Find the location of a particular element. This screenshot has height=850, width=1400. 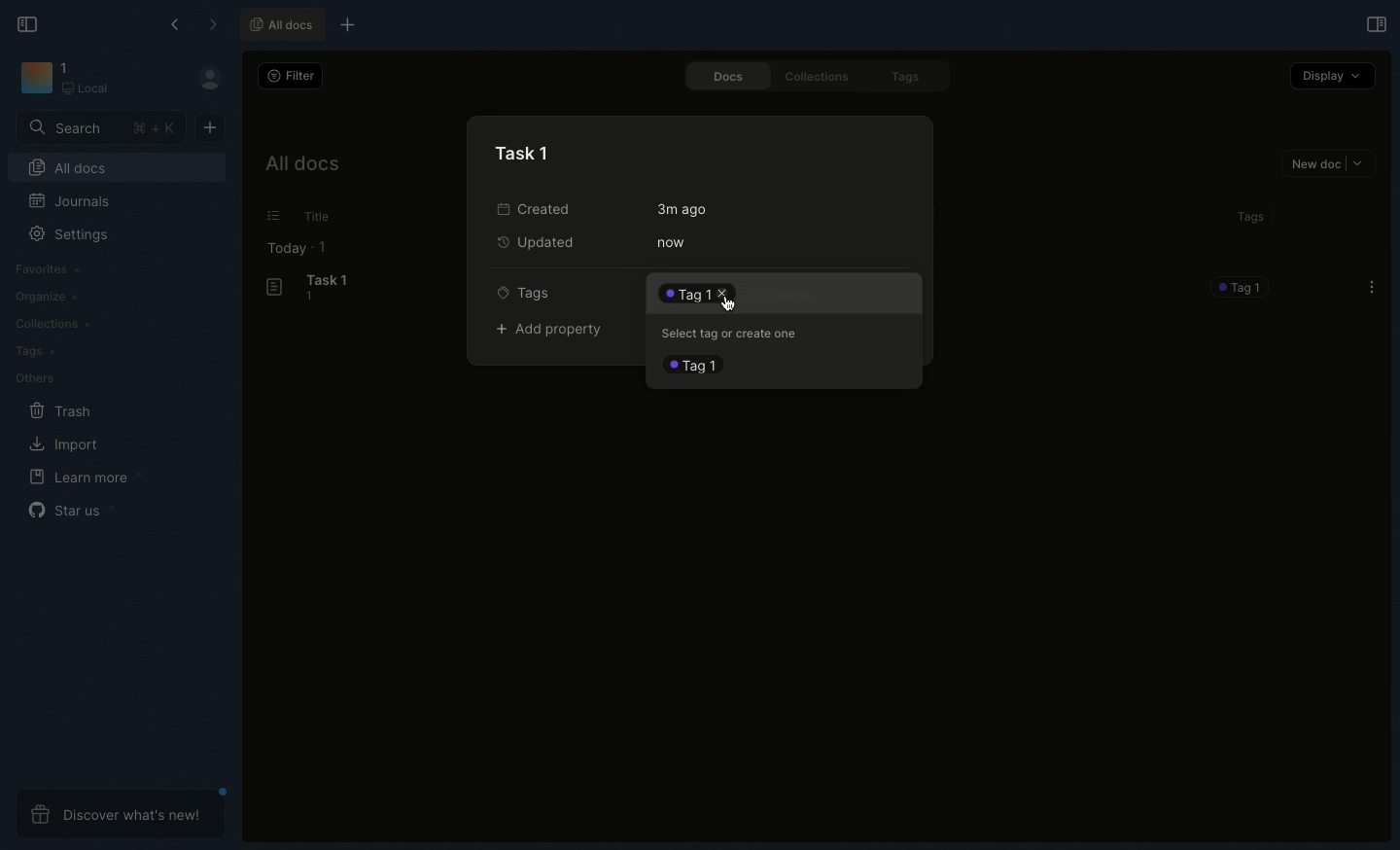

Tag 1 is located at coordinates (1242, 288).